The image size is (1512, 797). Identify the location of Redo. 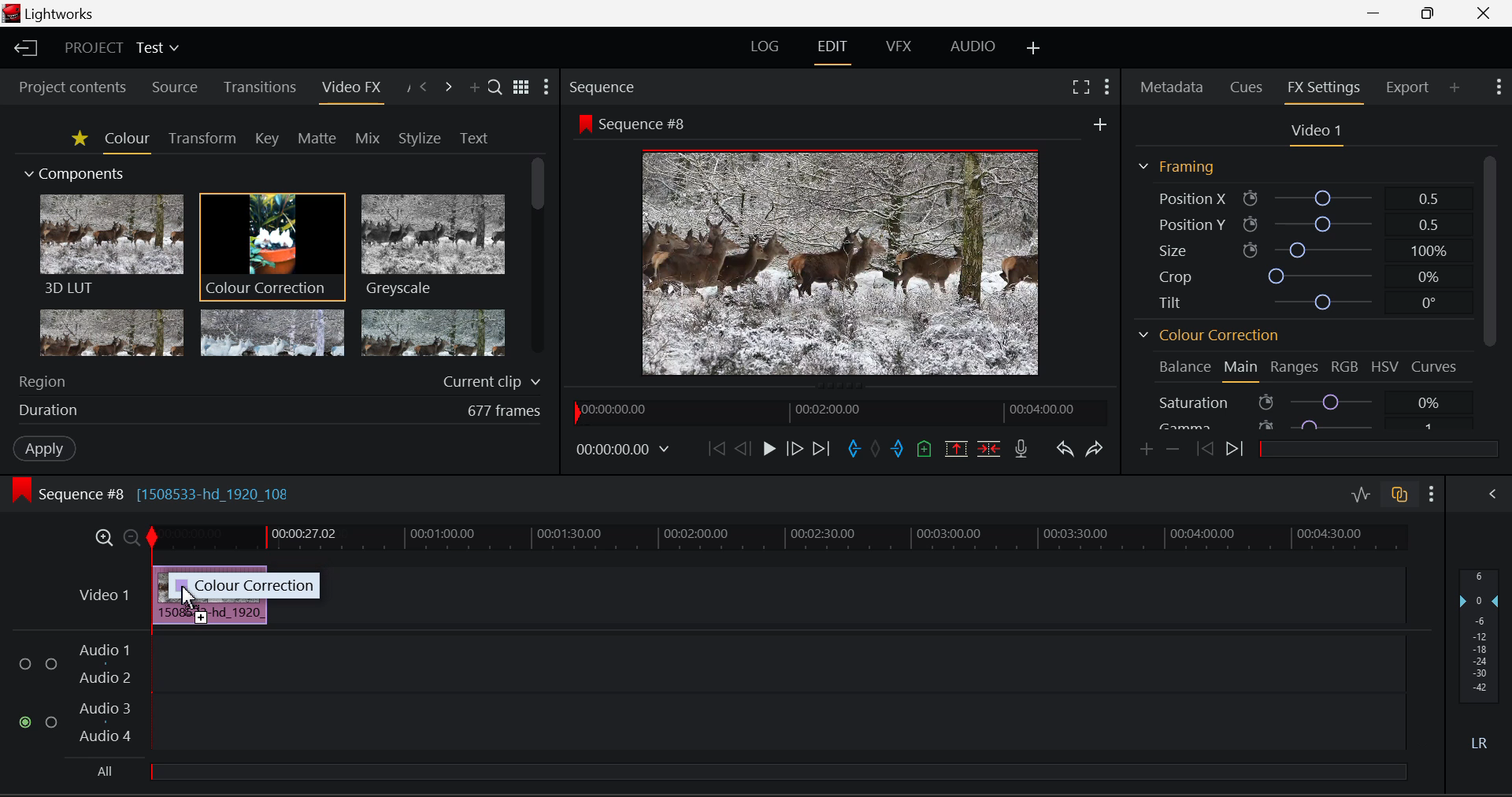
(1096, 450).